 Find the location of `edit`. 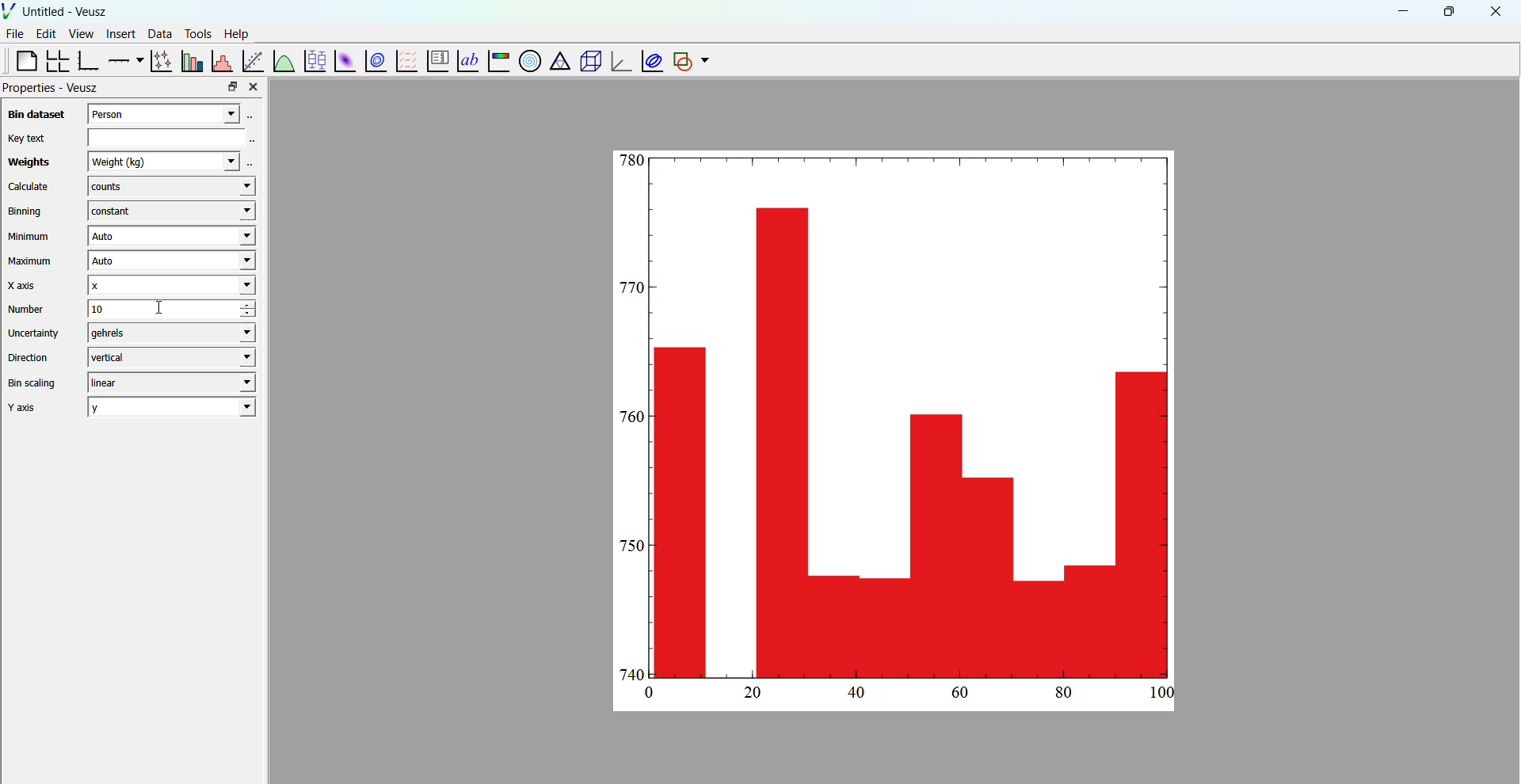

edit is located at coordinates (48, 34).